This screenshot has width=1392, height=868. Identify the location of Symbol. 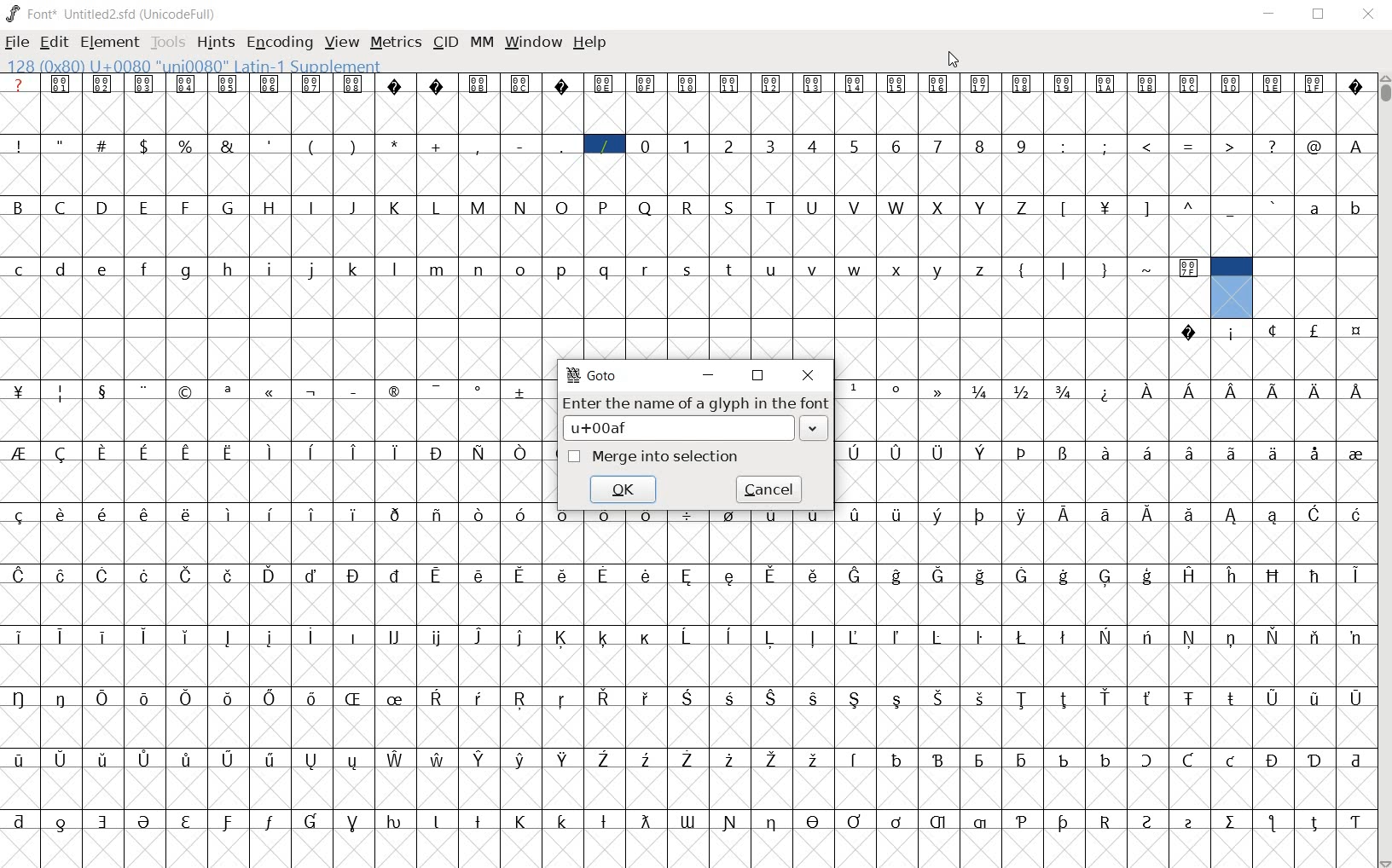
(104, 453).